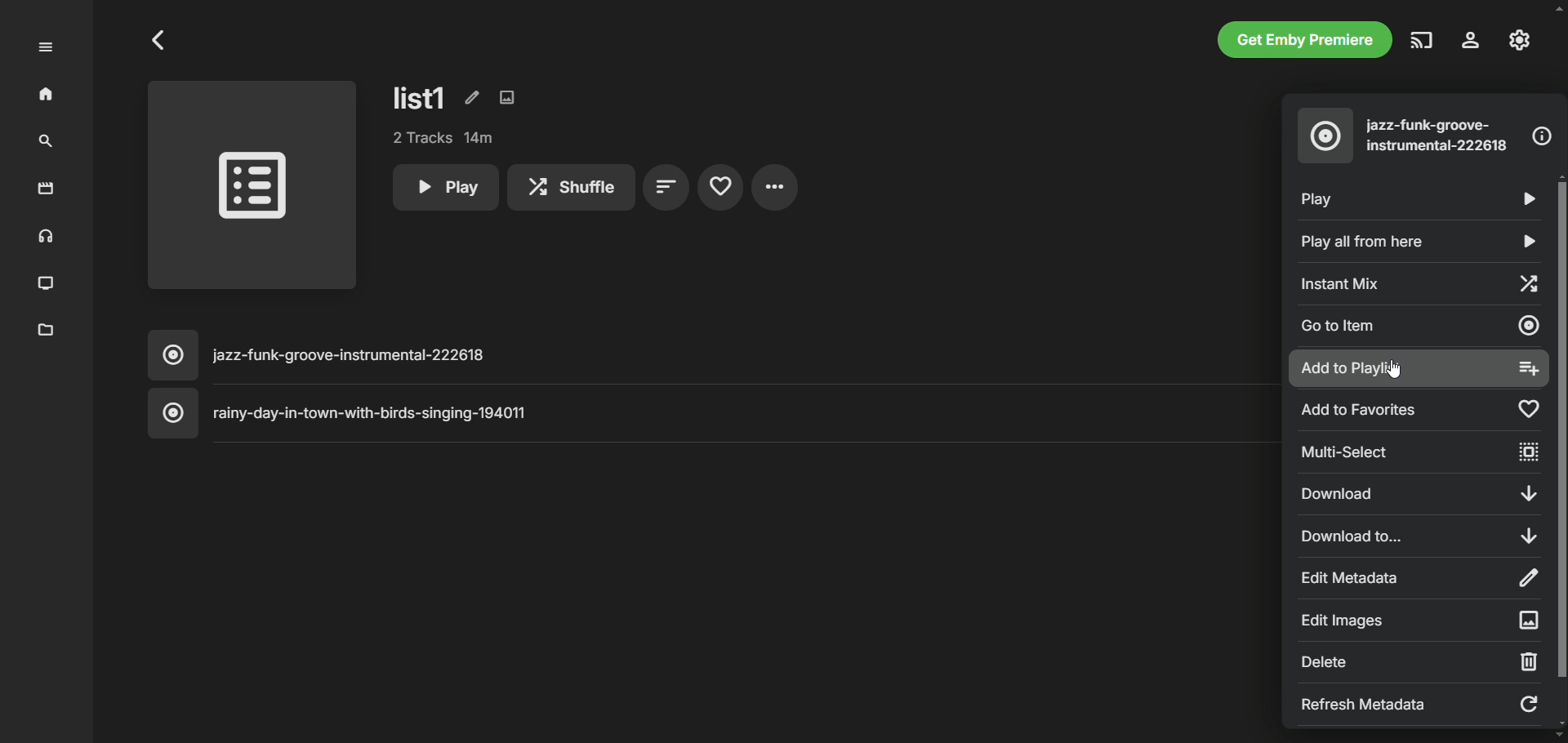 The width and height of the screenshot is (1568, 743). What do you see at coordinates (46, 142) in the screenshot?
I see `search` at bounding box center [46, 142].